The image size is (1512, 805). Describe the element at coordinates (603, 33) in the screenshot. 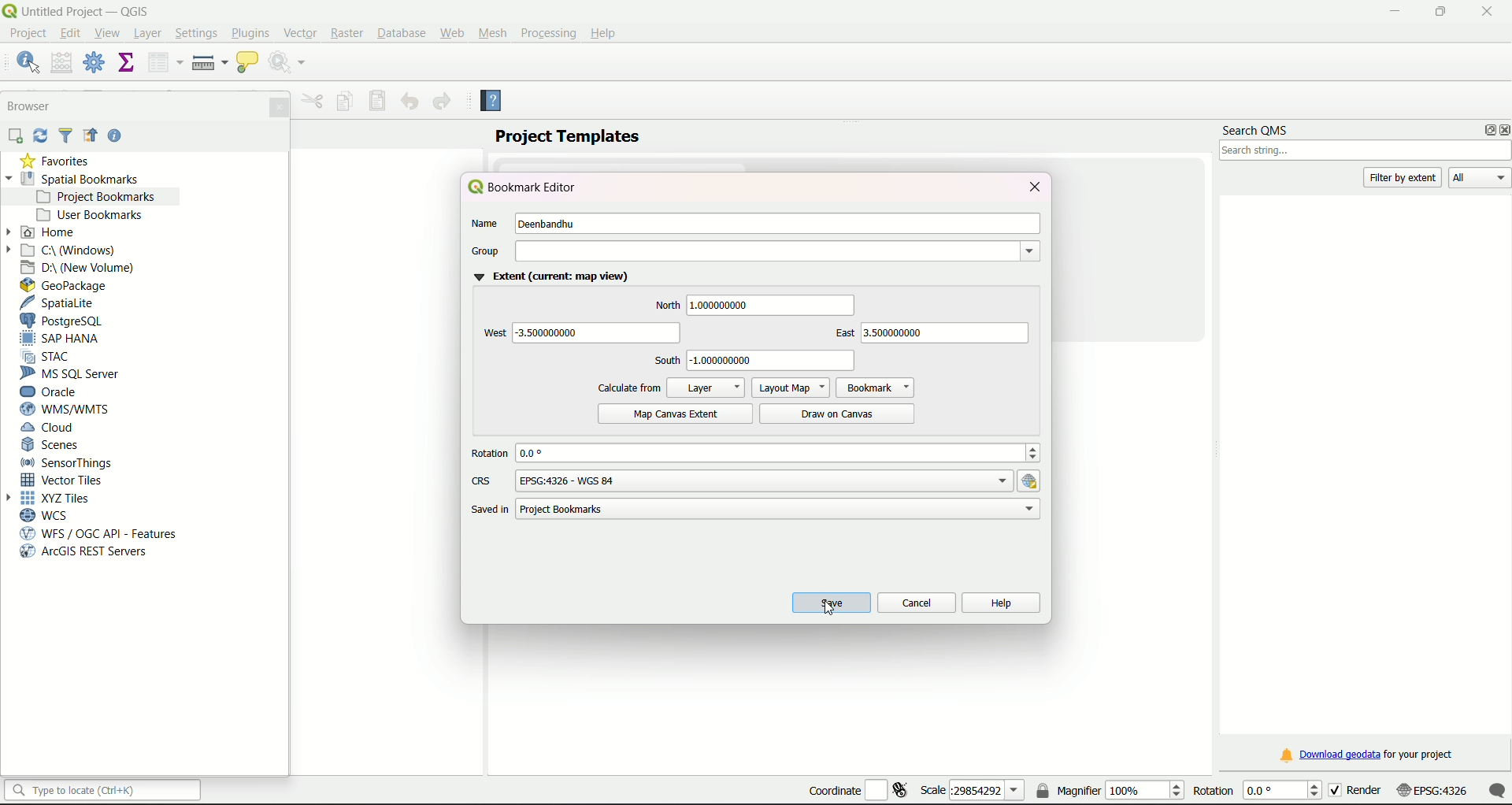

I see `Help` at that location.